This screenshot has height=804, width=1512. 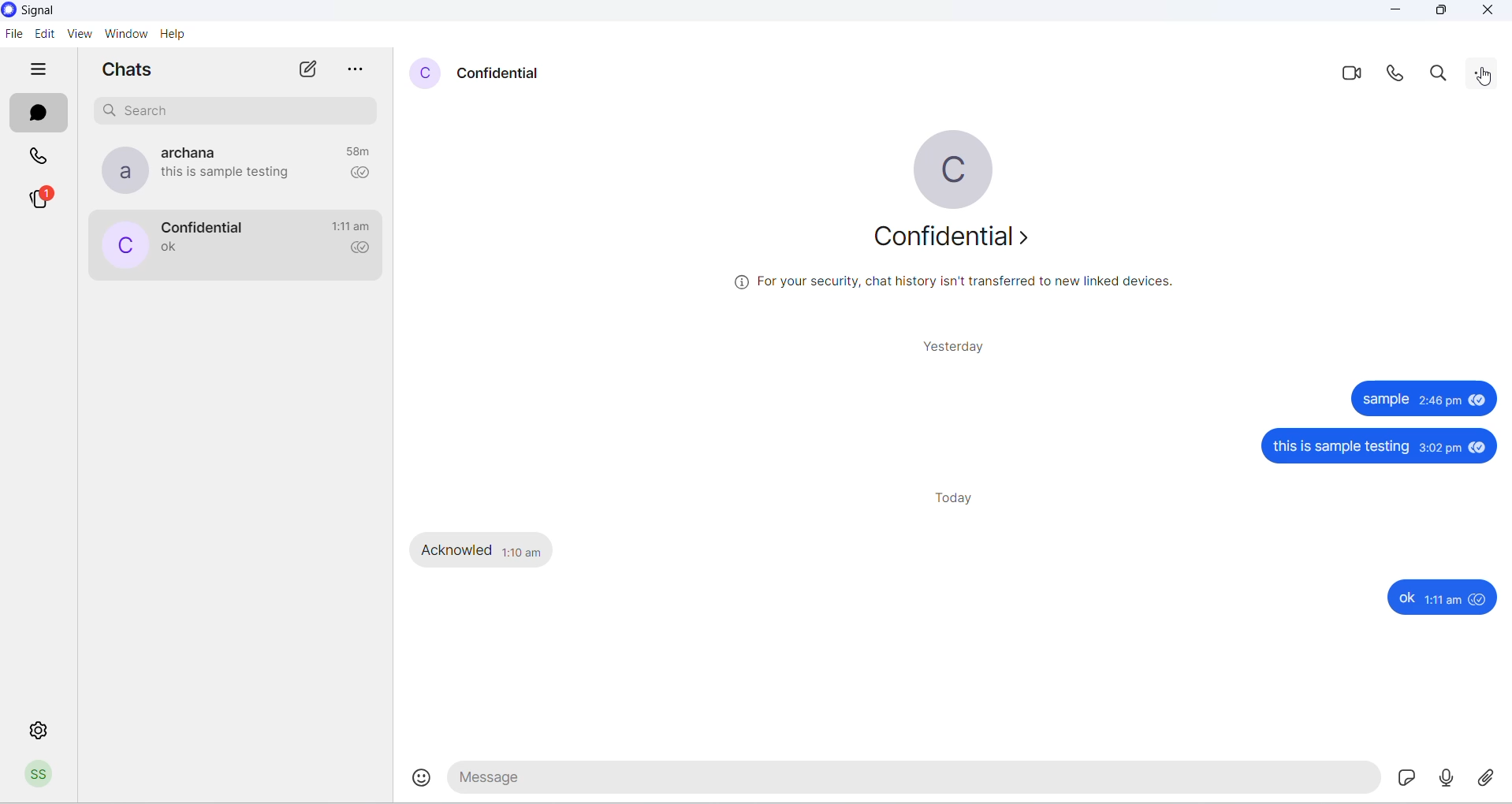 What do you see at coordinates (358, 250) in the screenshot?
I see `read recipient` at bounding box center [358, 250].